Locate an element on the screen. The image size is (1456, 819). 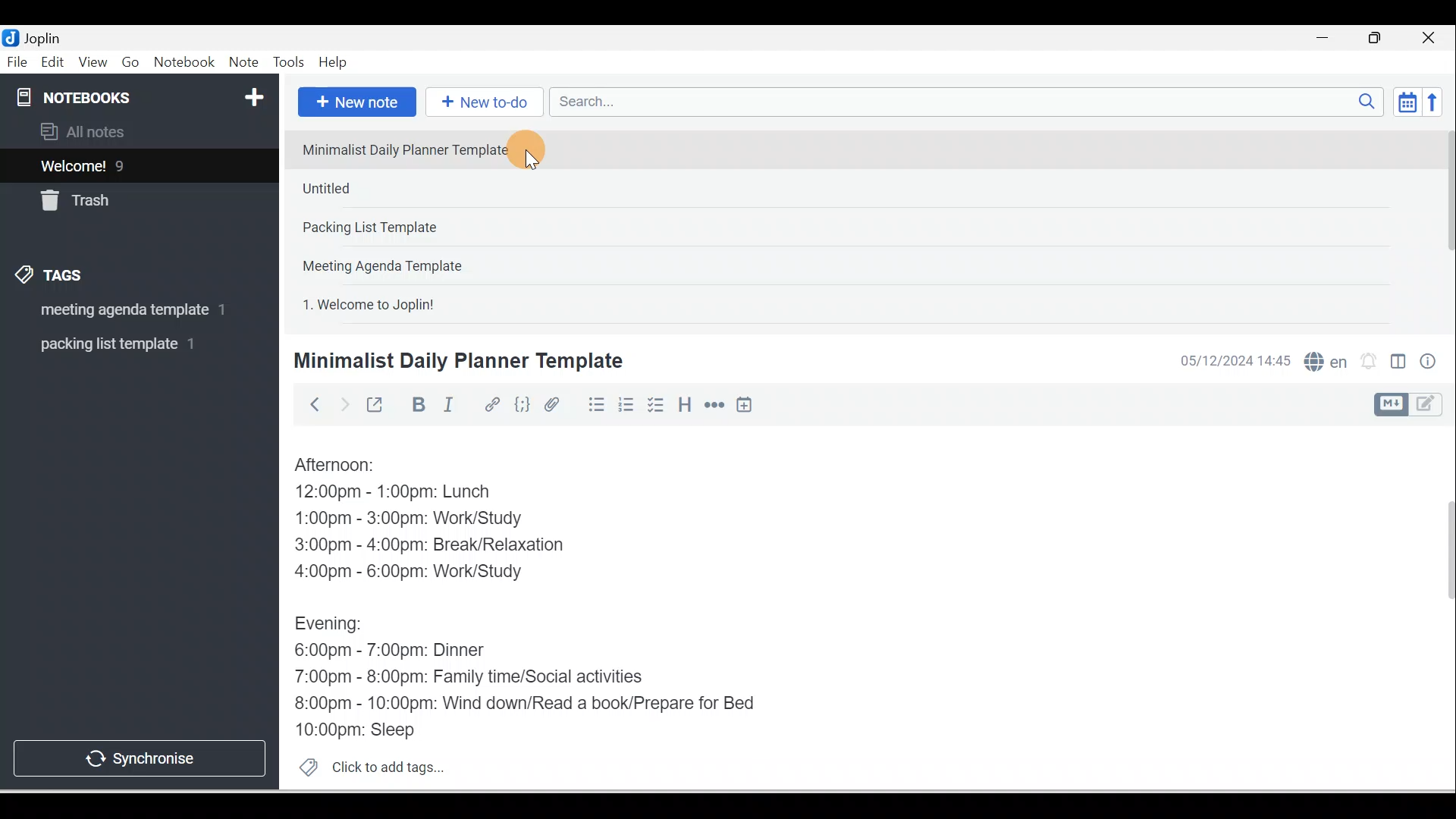
6:00pm - 7:00pm: Dinner is located at coordinates (401, 651).